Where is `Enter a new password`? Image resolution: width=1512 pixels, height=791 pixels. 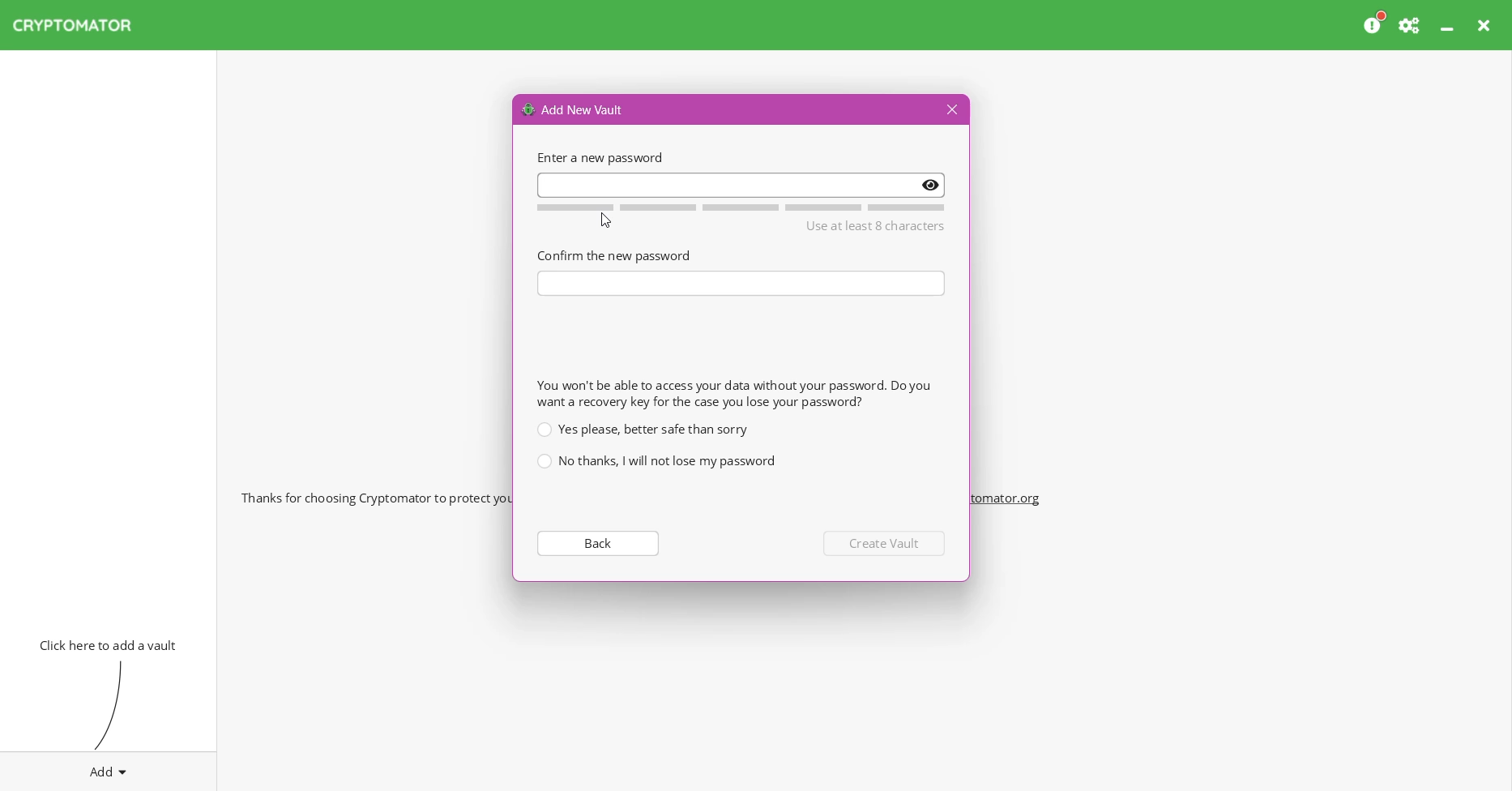
Enter a new password is located at coordinates (741, 184).